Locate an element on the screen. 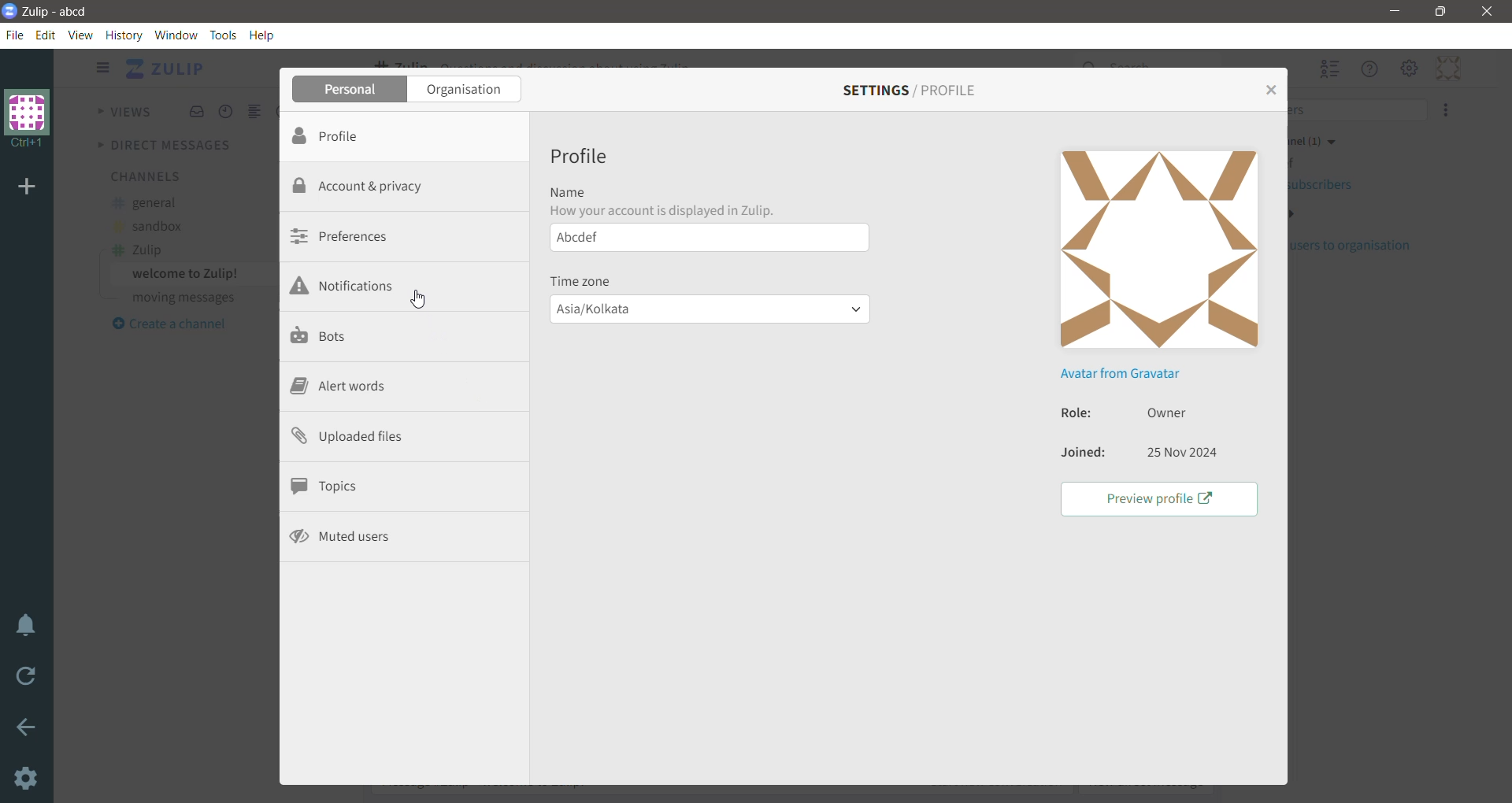 Image resolution: width=1512 pixels, height=803 pixels. Owner(User role) is located at coordinates (1171, 412).